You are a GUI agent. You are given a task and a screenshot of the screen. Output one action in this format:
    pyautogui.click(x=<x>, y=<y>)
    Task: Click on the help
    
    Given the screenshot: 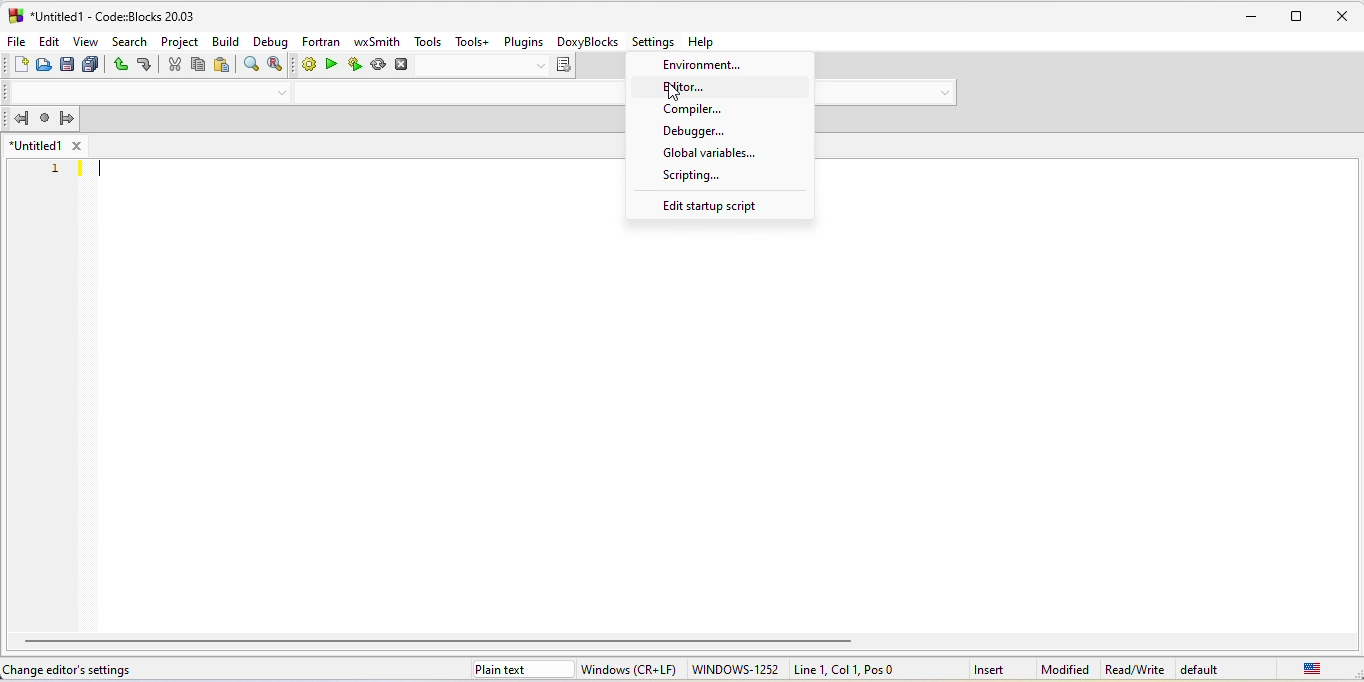 What is the action you would take?
    pyautogui.click(x=705, y=41)
    